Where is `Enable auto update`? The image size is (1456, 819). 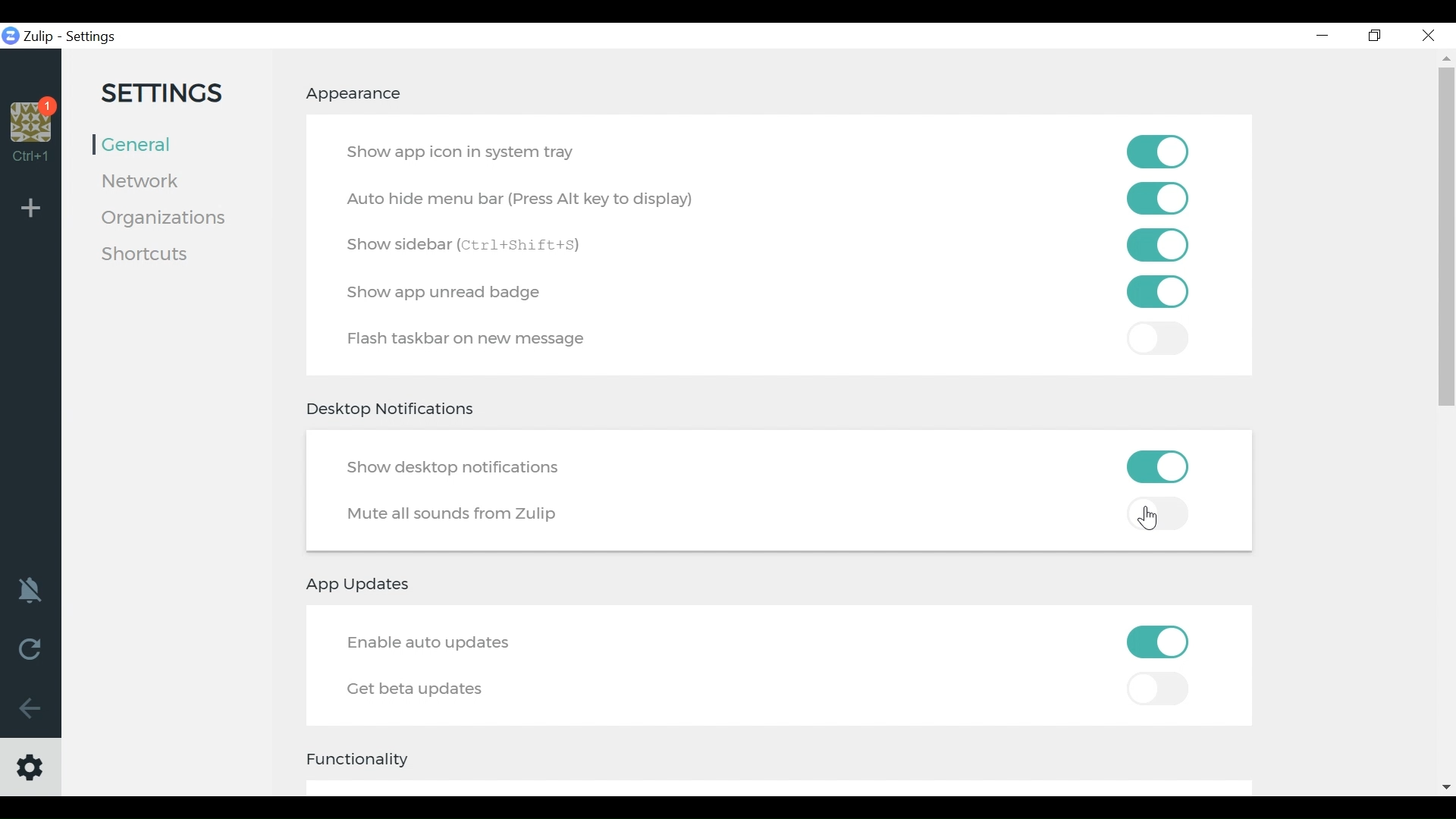
Enable auto update is located at coordinates (435, 645).